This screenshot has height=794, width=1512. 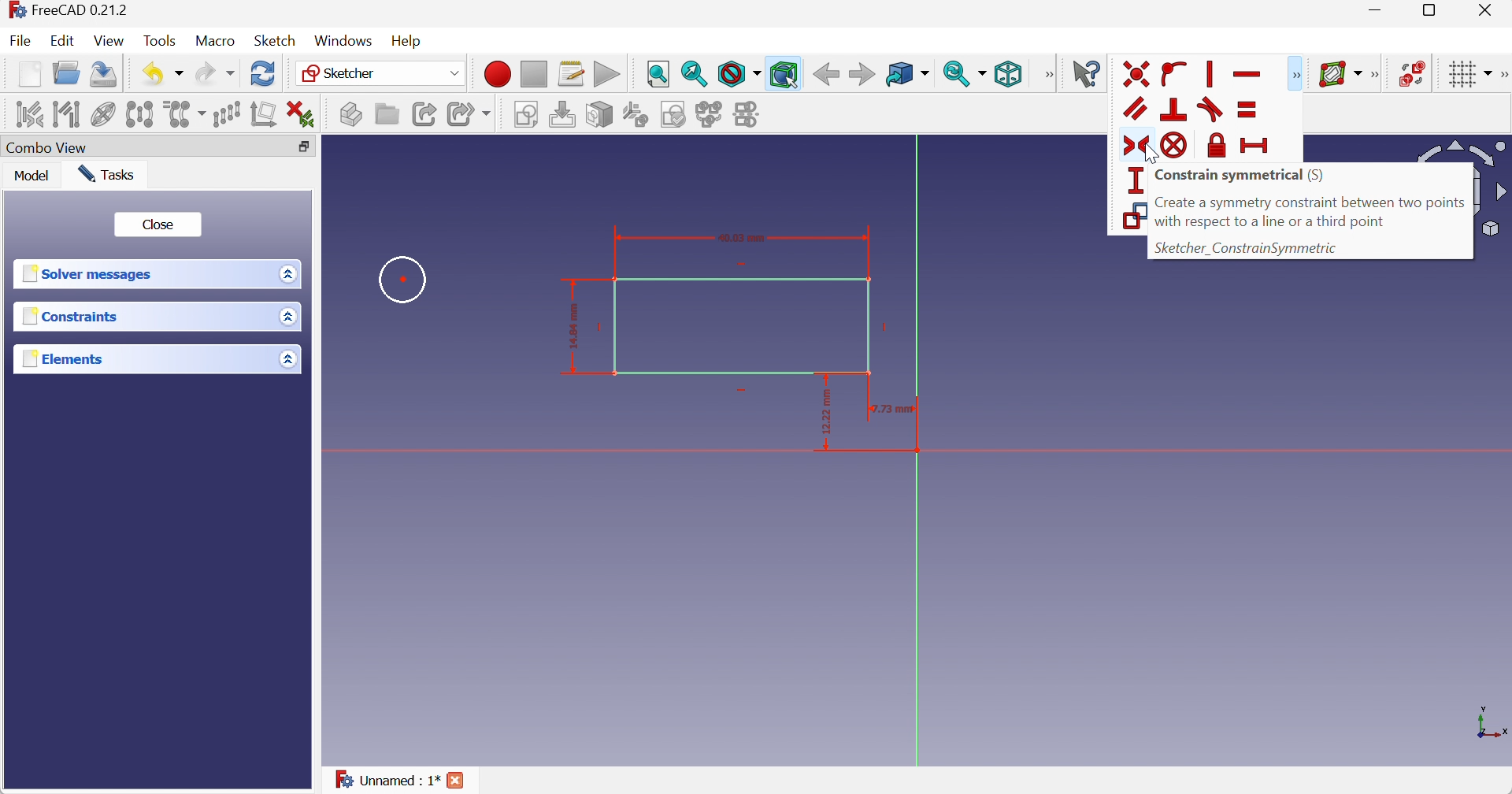 What do you see at coordinates (565, 115) in the screenshot?
I see `Edit sketch` at bounding box center [565, 115].